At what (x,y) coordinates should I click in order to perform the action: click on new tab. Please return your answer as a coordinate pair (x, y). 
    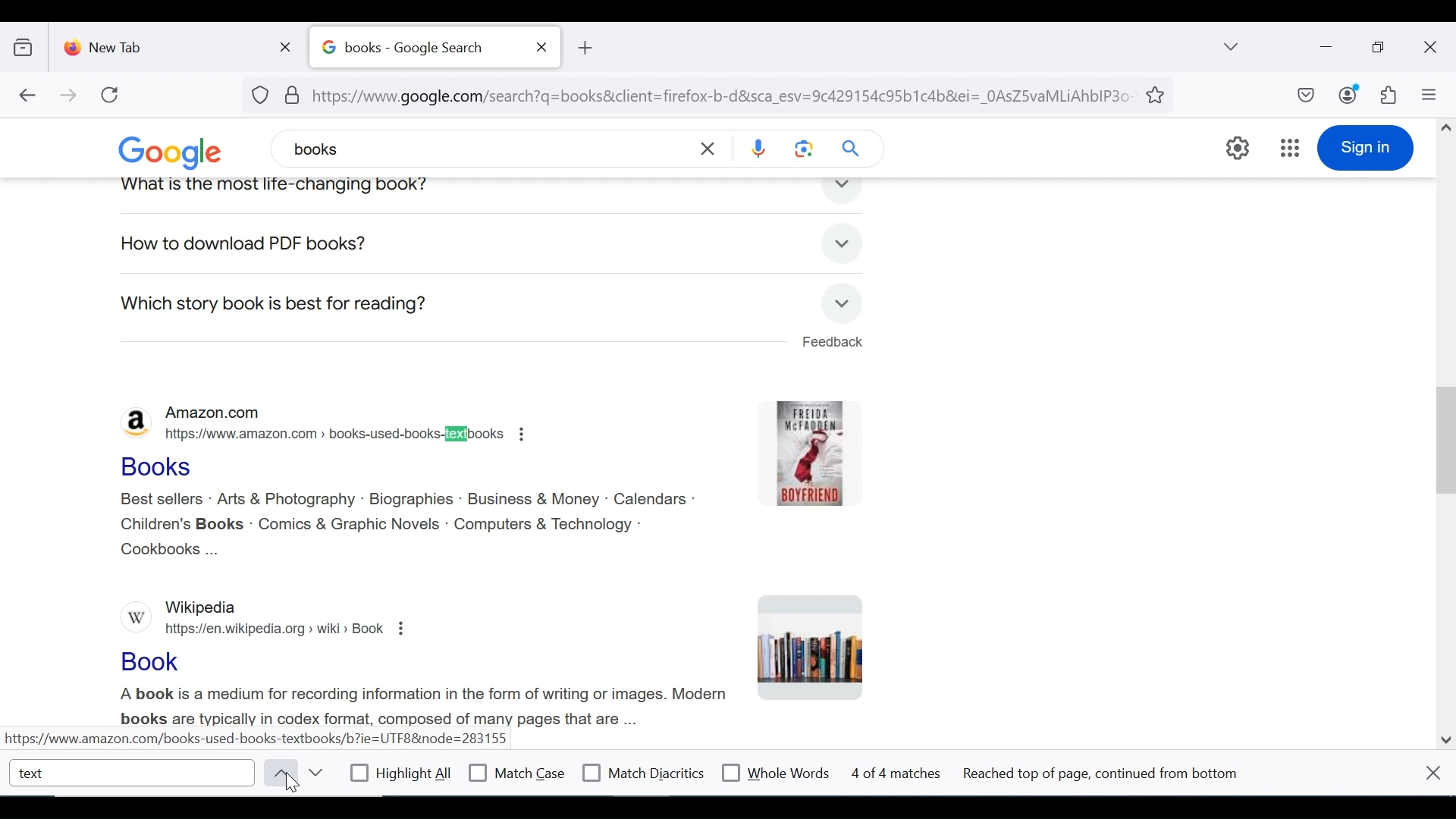
    Looking at the image, I should click on (163, 44).